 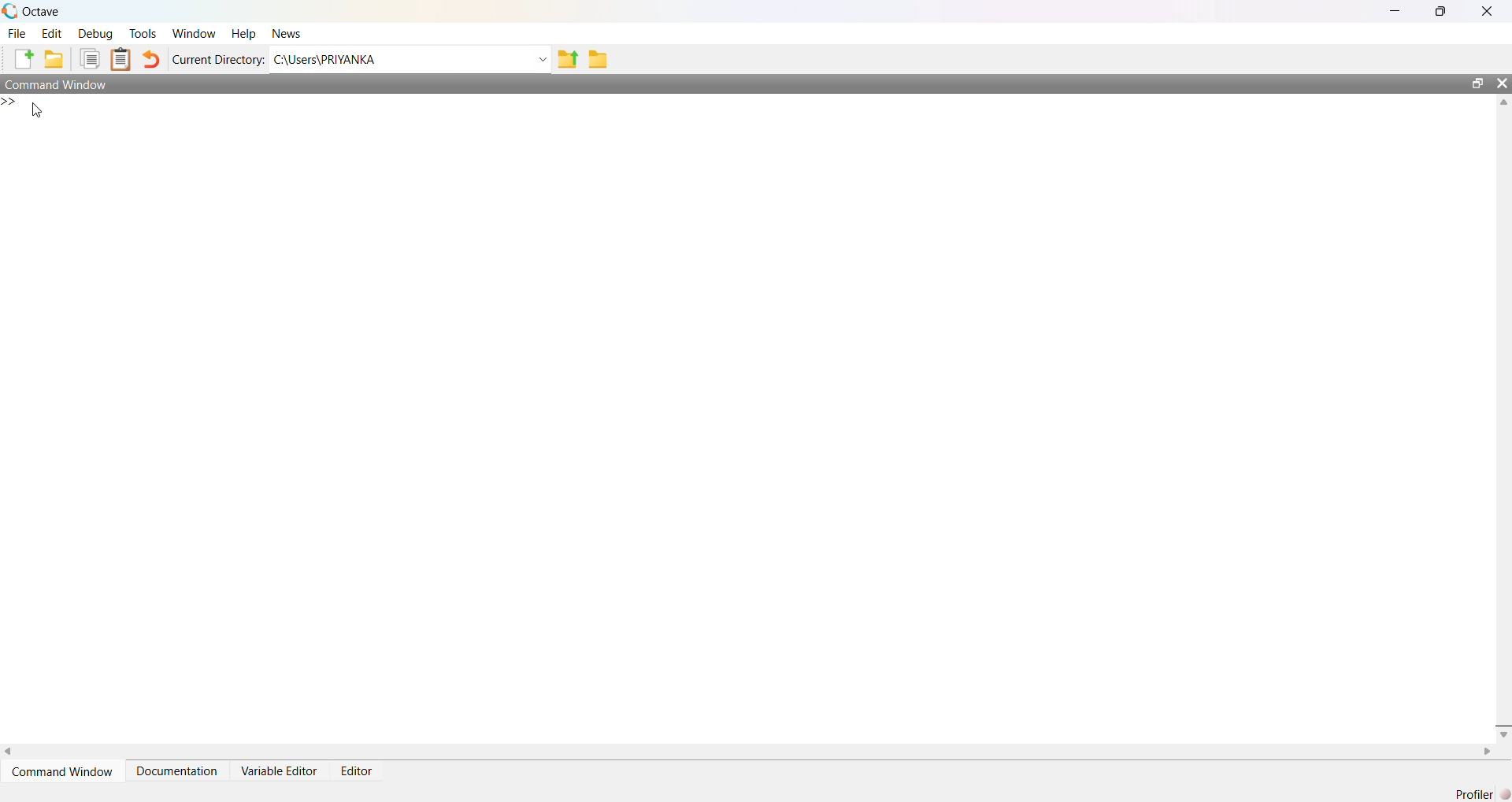 I want to click on Editor, so click(x=358, y=773).